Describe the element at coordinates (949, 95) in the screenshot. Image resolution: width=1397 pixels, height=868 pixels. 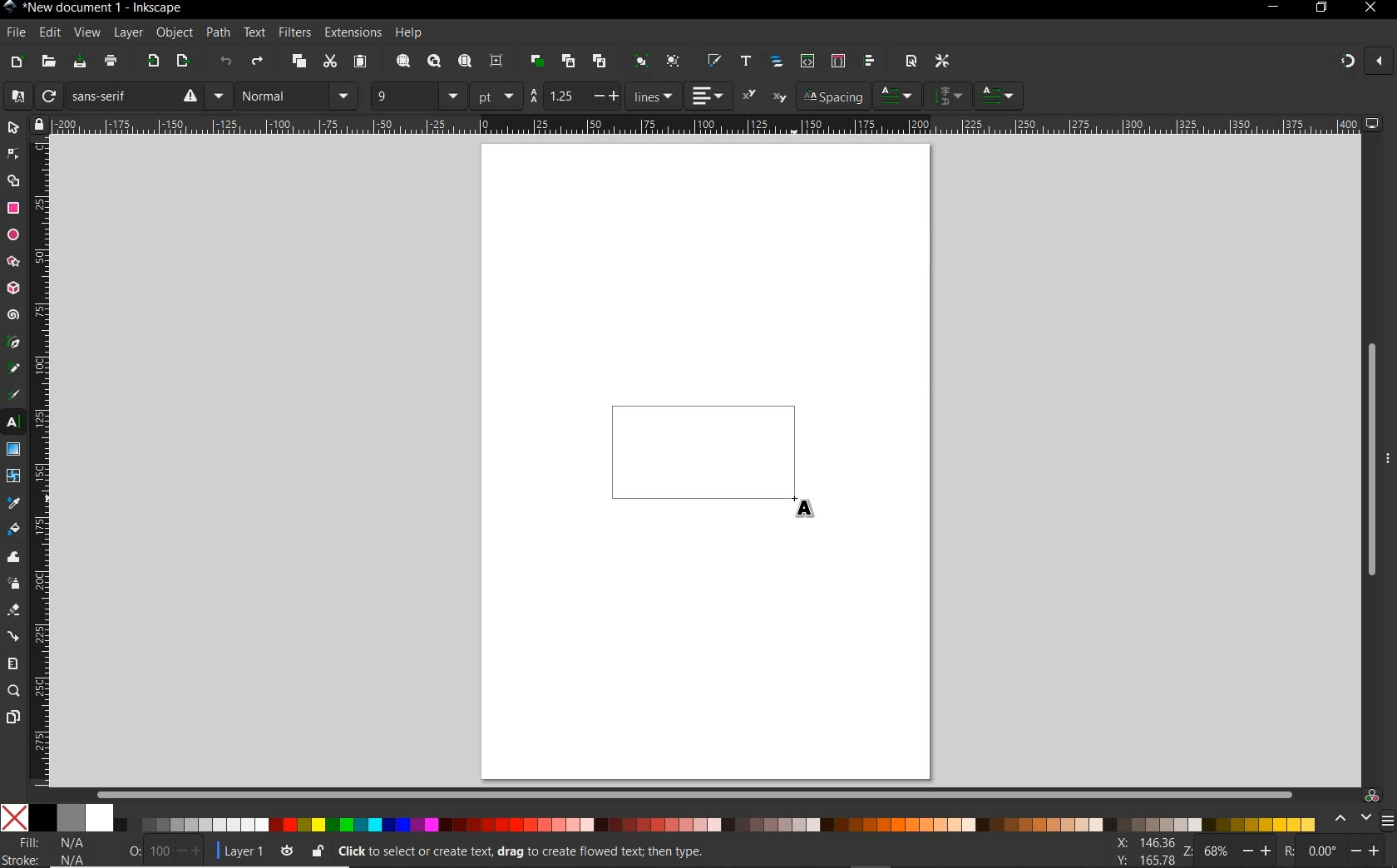
I see `menu` at that location.